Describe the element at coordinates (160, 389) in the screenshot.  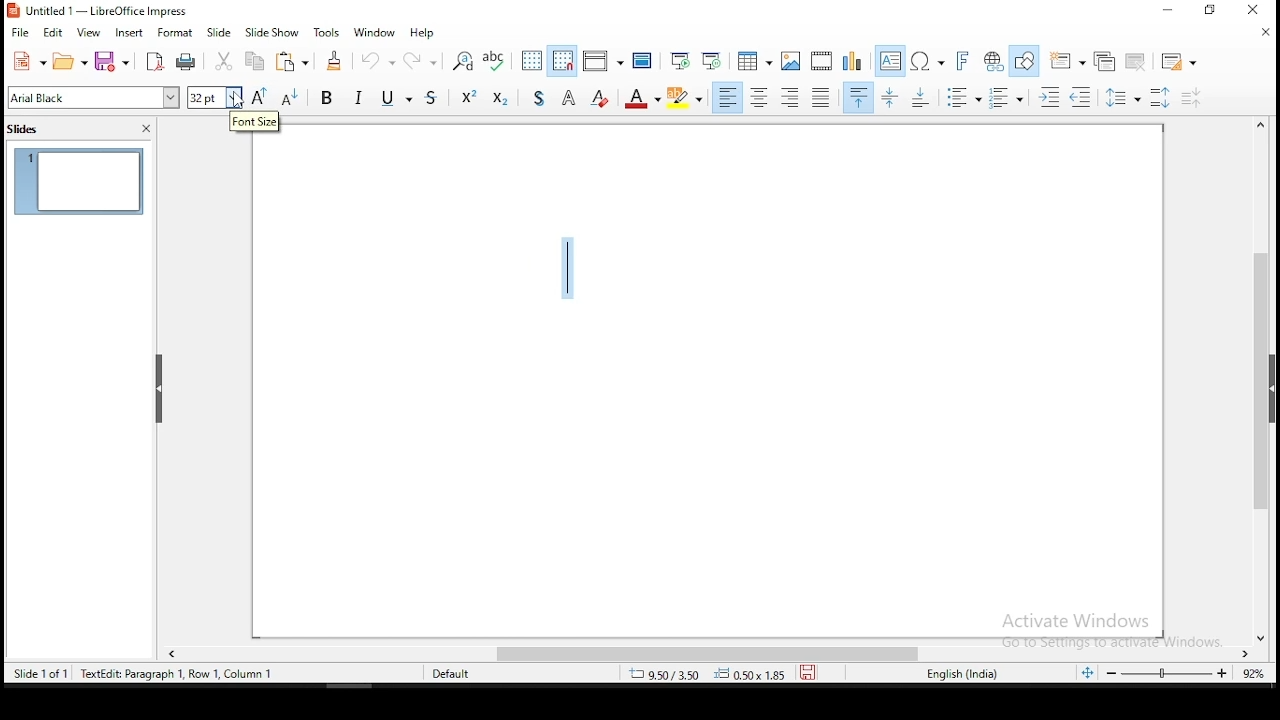
I see `collapse` at that location.